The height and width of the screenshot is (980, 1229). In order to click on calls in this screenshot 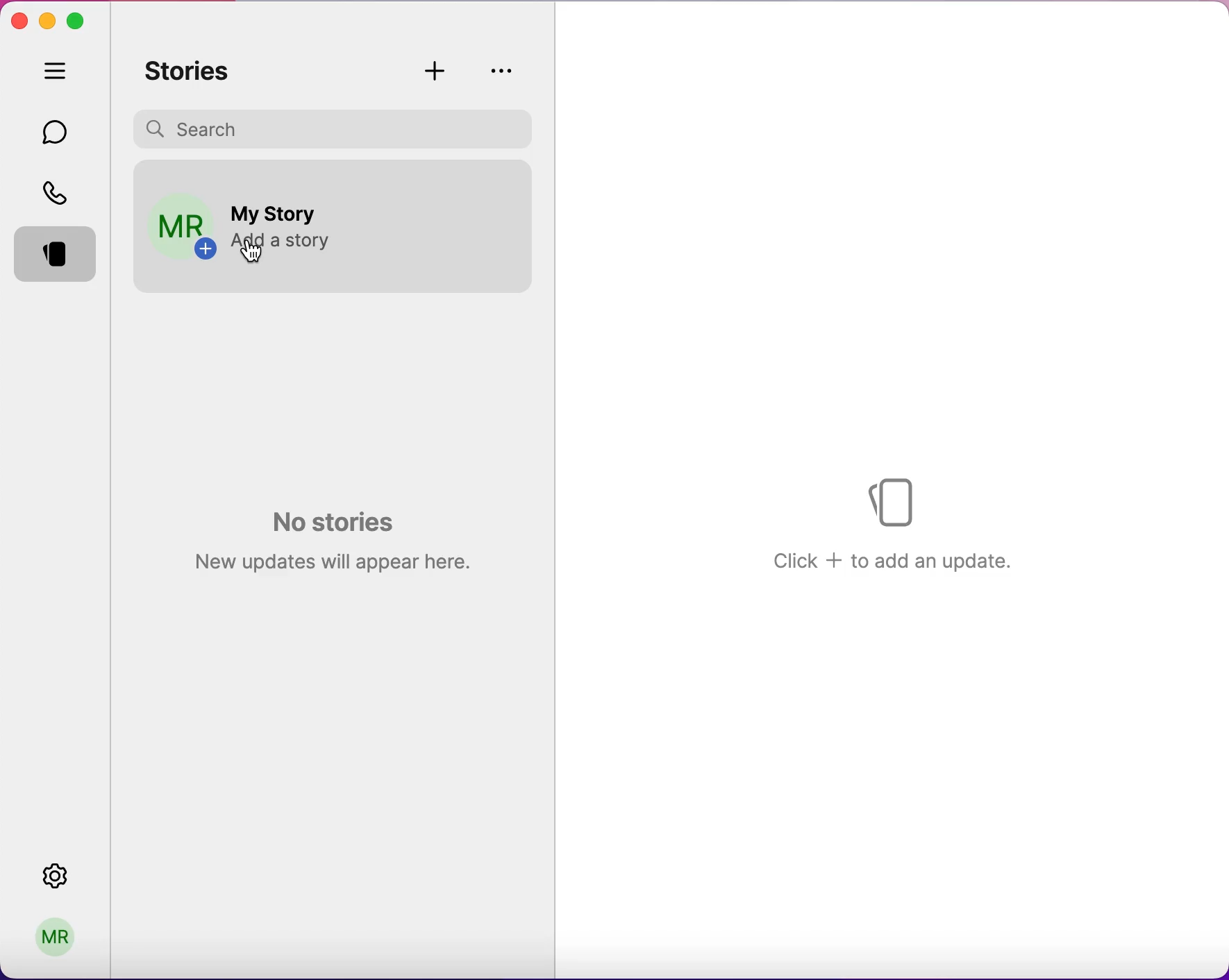, I will do `click(59, 192)`.